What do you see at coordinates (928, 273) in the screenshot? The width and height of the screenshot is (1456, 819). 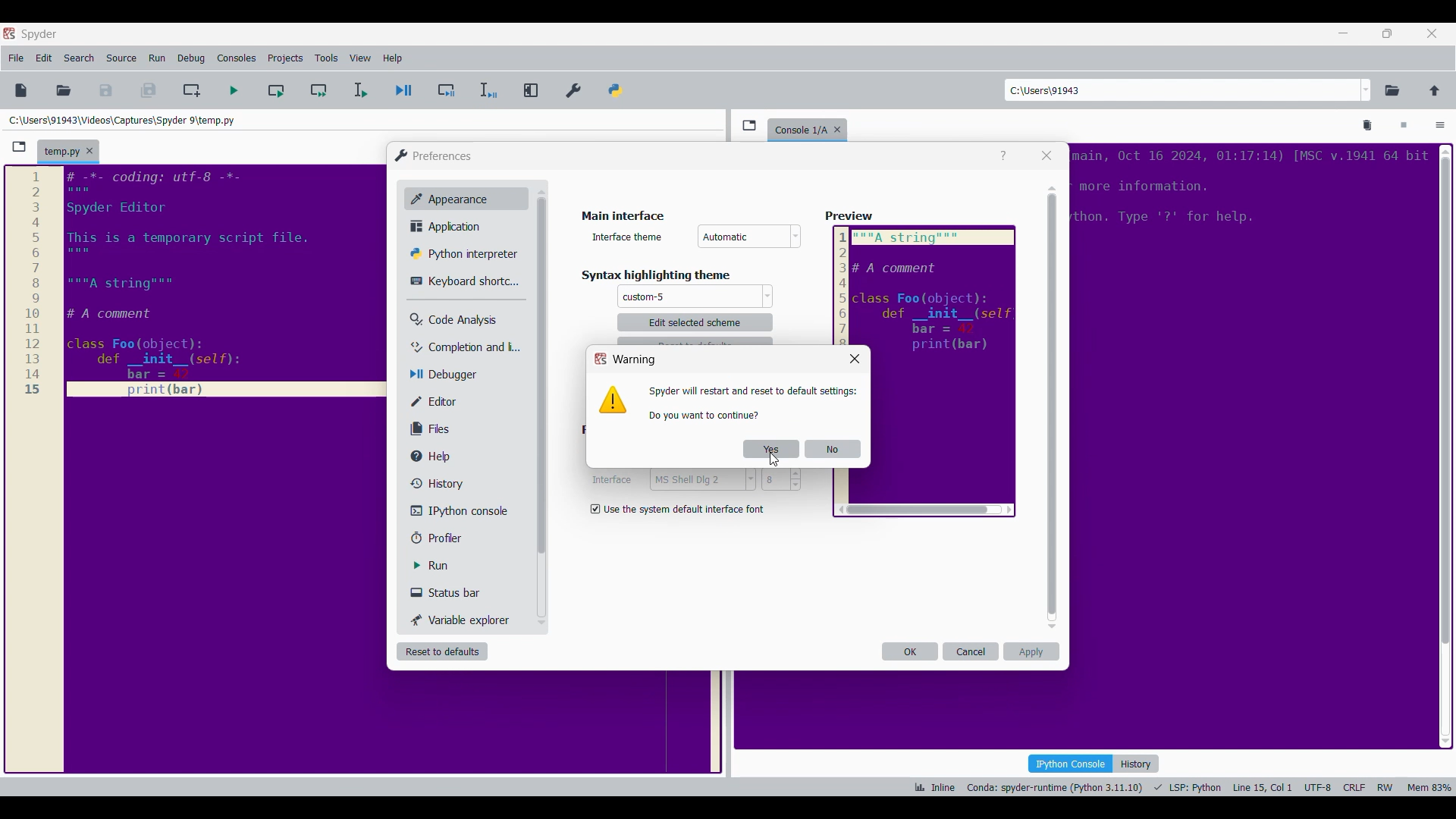 I see `preview` at bounding box center [928, 273].